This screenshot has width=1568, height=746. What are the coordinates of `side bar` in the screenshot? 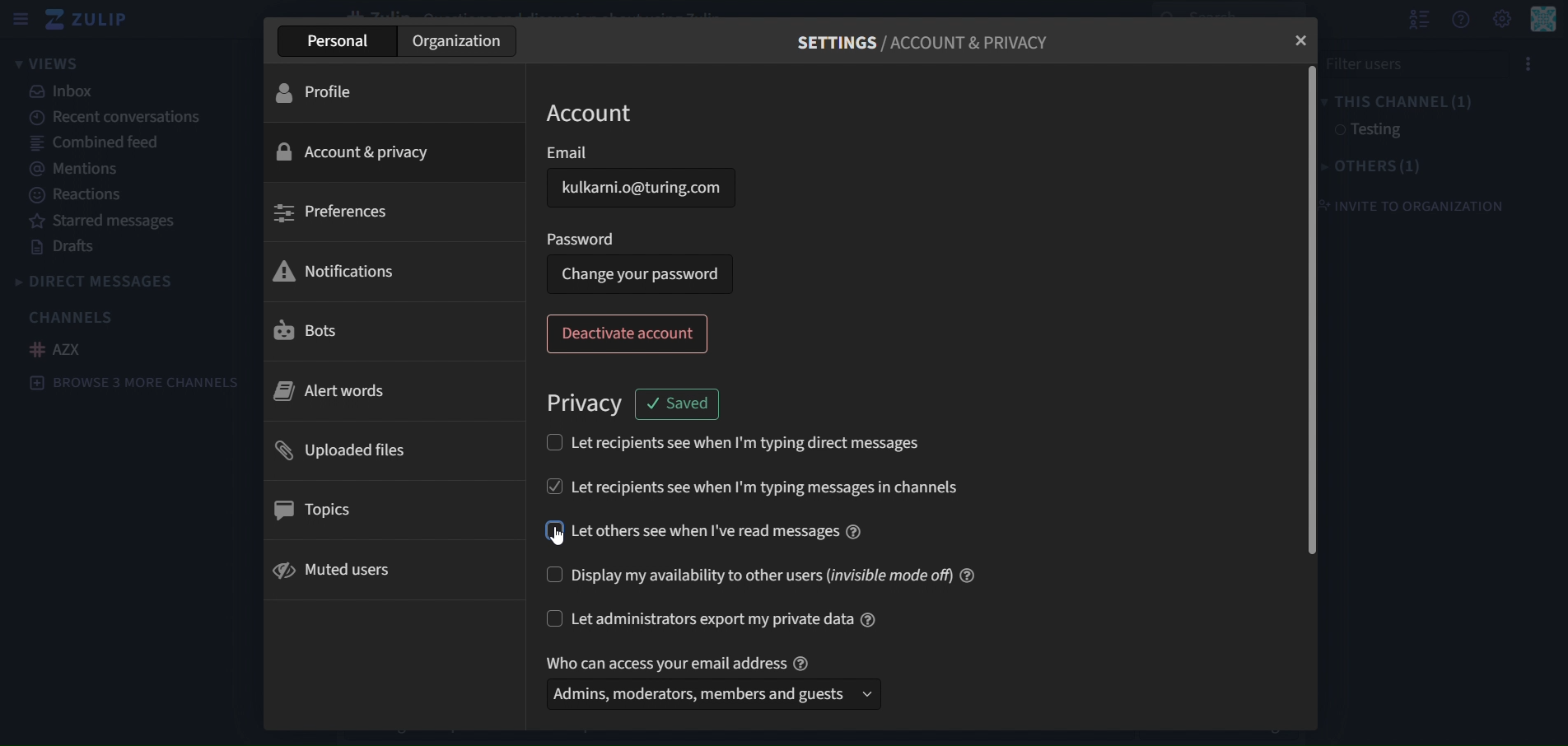 It's located at (17, 19).